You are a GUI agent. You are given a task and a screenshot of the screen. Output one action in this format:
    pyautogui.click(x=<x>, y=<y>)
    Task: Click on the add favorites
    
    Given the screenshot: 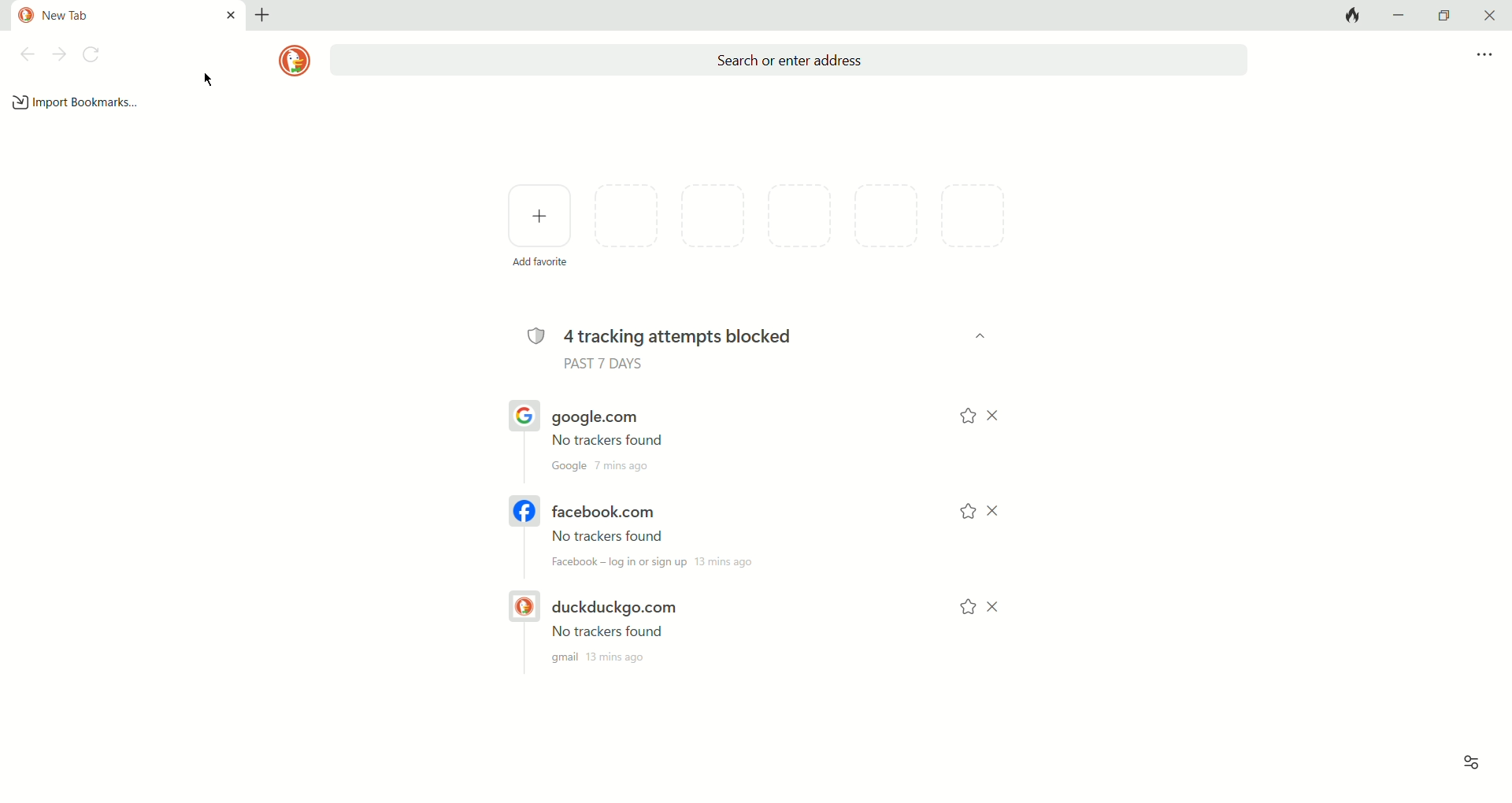 What is the action you would take?
    pyautogui.click(x=535, y=227)
    